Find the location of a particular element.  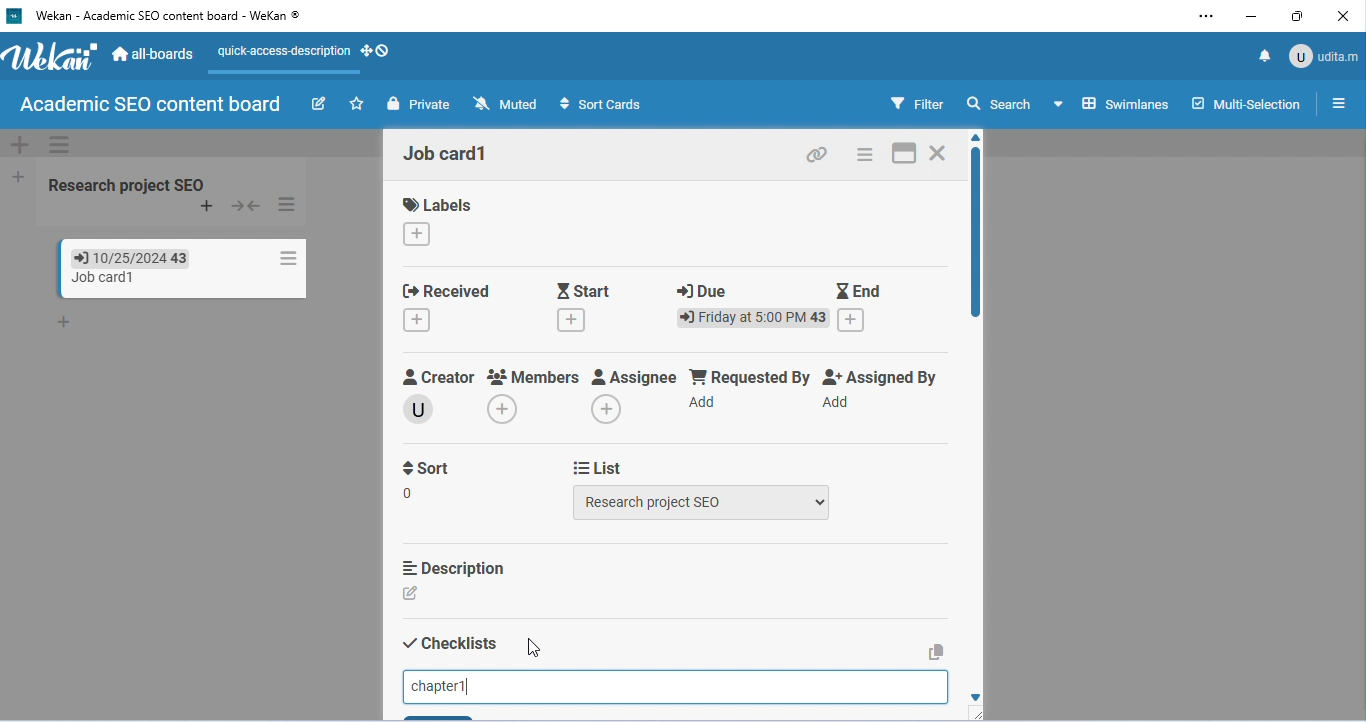

settings and more is located at coordinates (1205, 18).